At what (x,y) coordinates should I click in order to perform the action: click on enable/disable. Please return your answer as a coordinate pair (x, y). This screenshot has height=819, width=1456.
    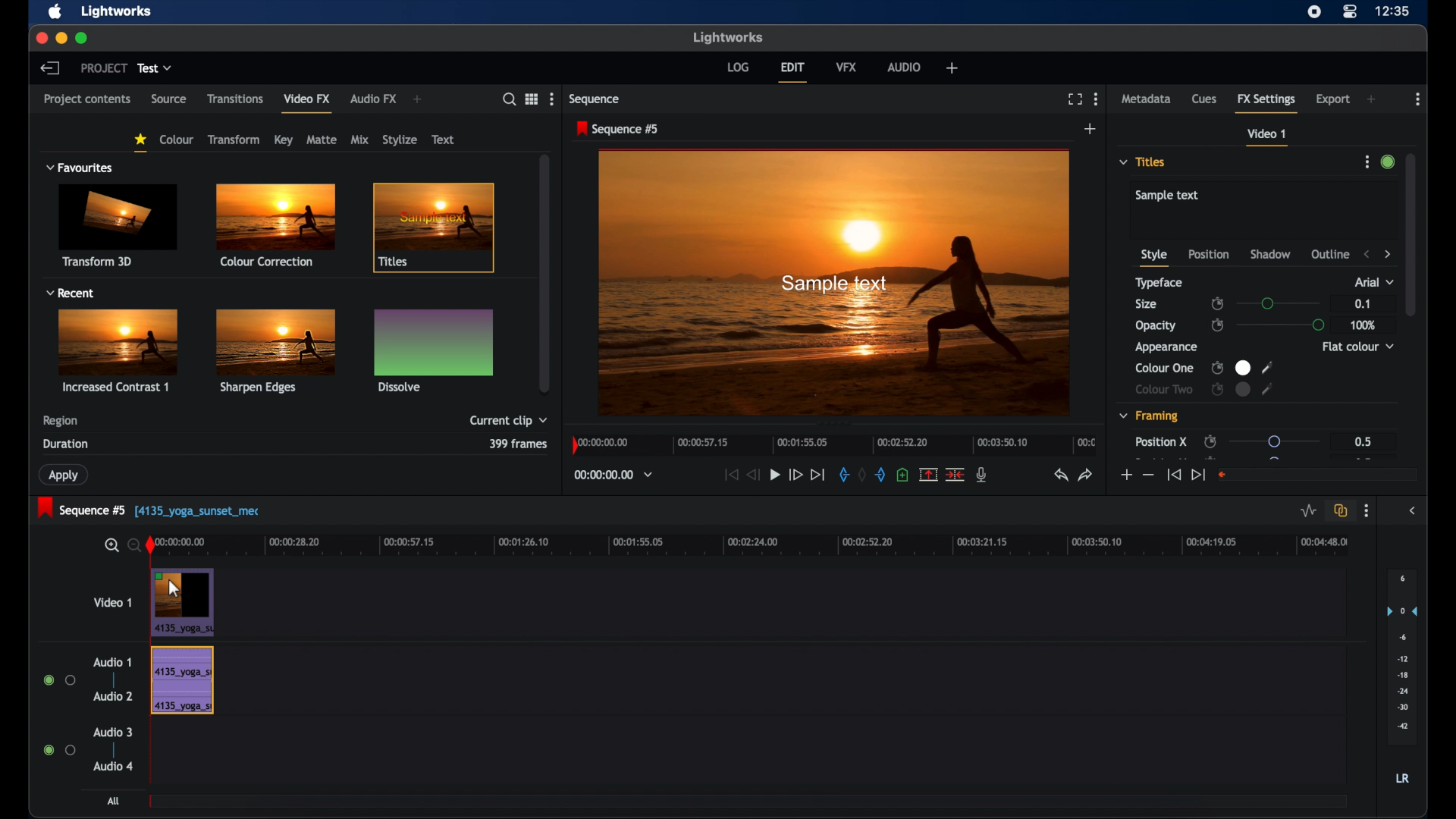
    Looking at the image, I should click on (1216, 367).